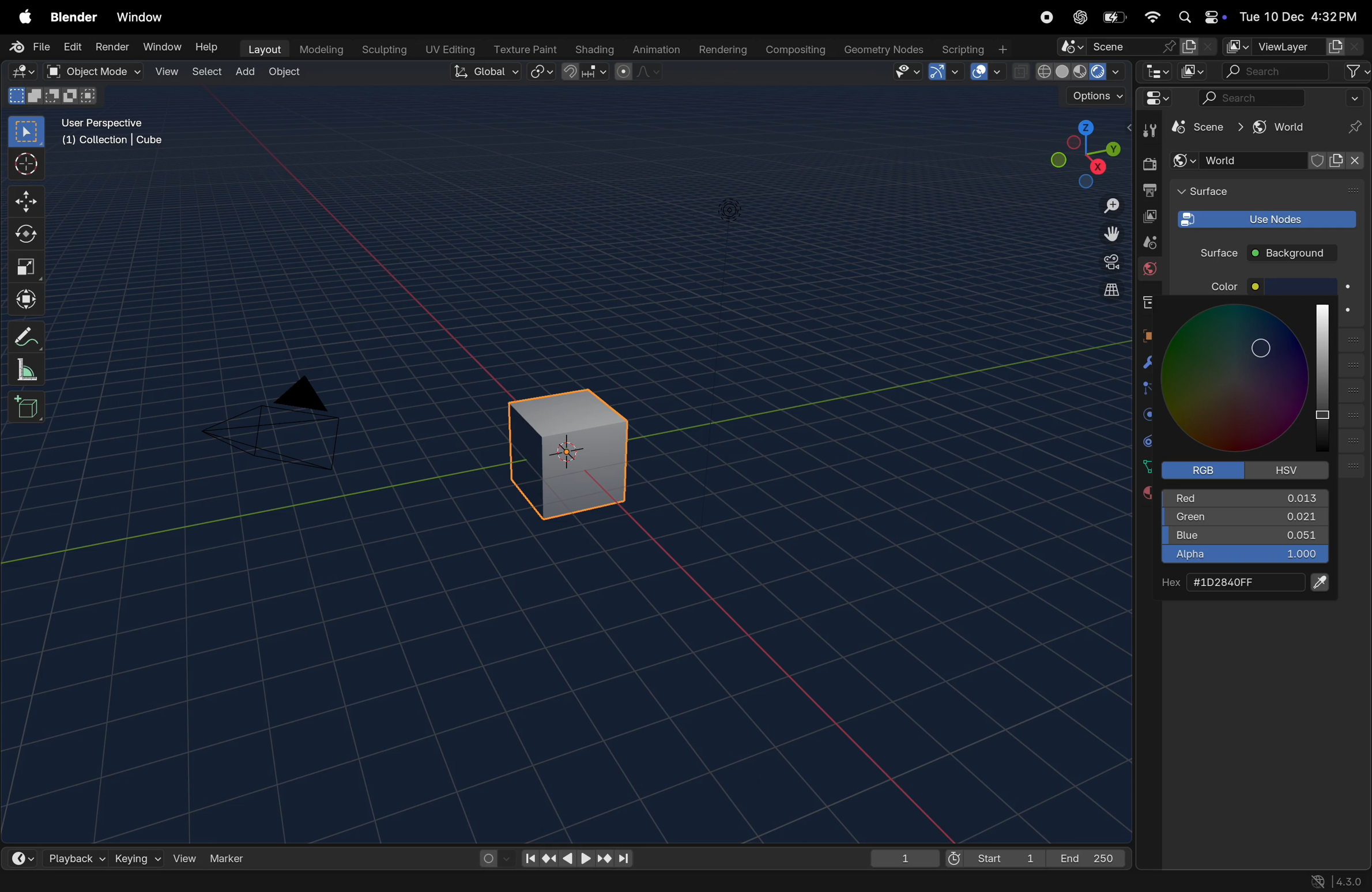 The width and height of the screenshot is (1372, 892). Describe the element at coordinates (1356, 127) in the screenshot. I see `pin` at that location.